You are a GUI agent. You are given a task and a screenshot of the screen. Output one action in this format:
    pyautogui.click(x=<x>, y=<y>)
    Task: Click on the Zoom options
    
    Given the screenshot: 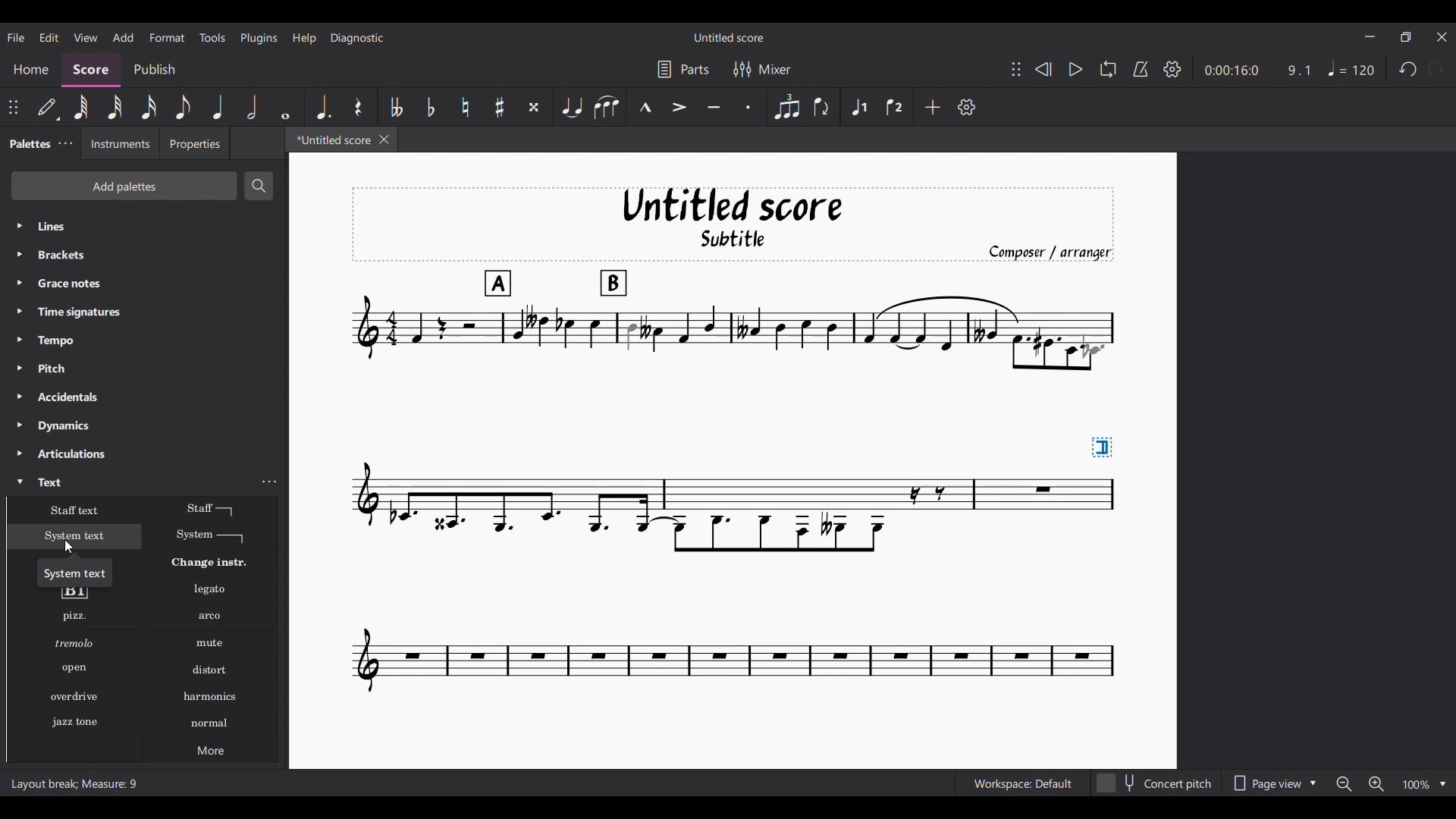 What is the action you would take?
    pyautogui.click(x=1425, y=783)
    